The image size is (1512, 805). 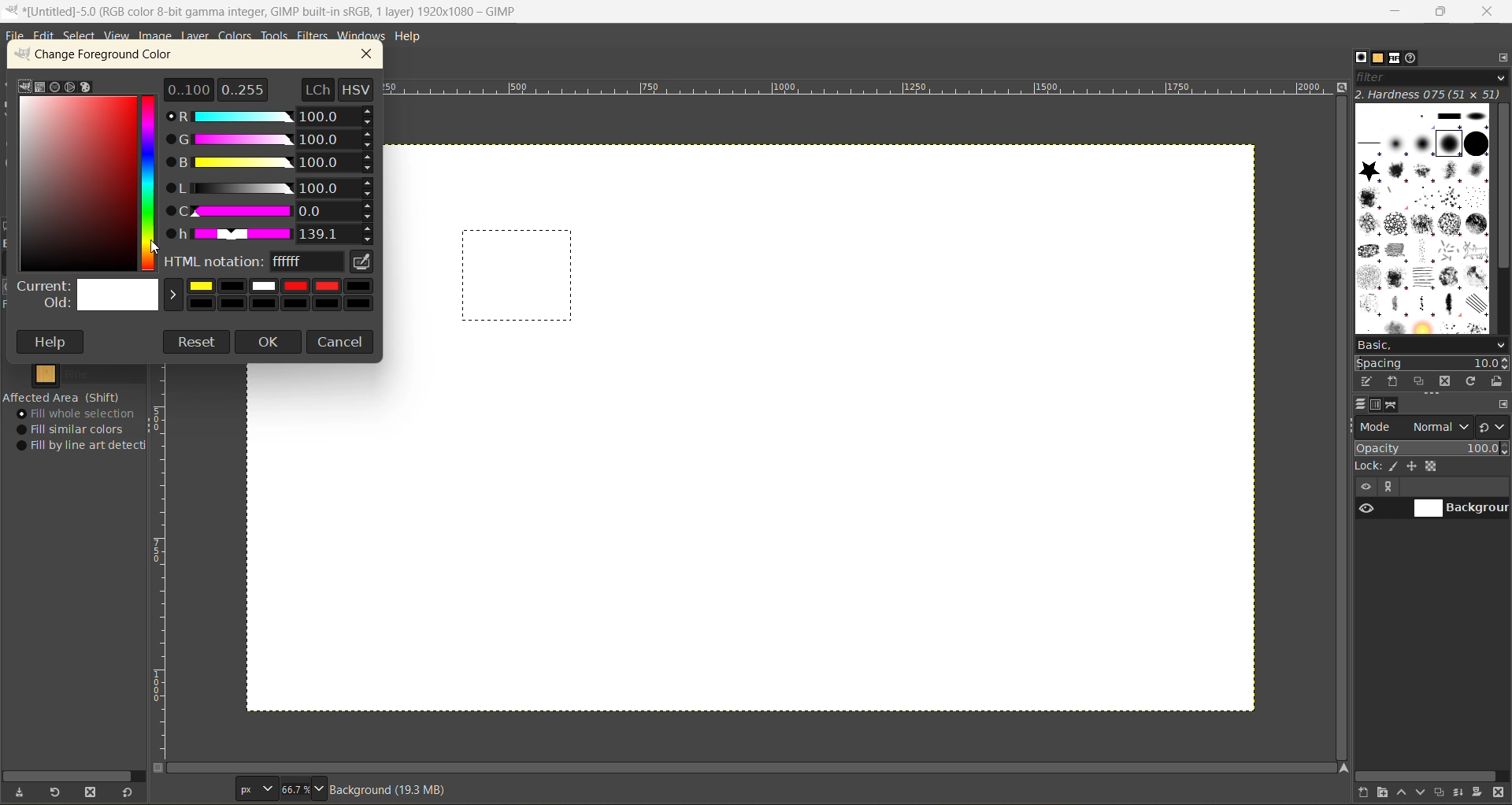 I want to click on scale, so click(x=862, y=91).